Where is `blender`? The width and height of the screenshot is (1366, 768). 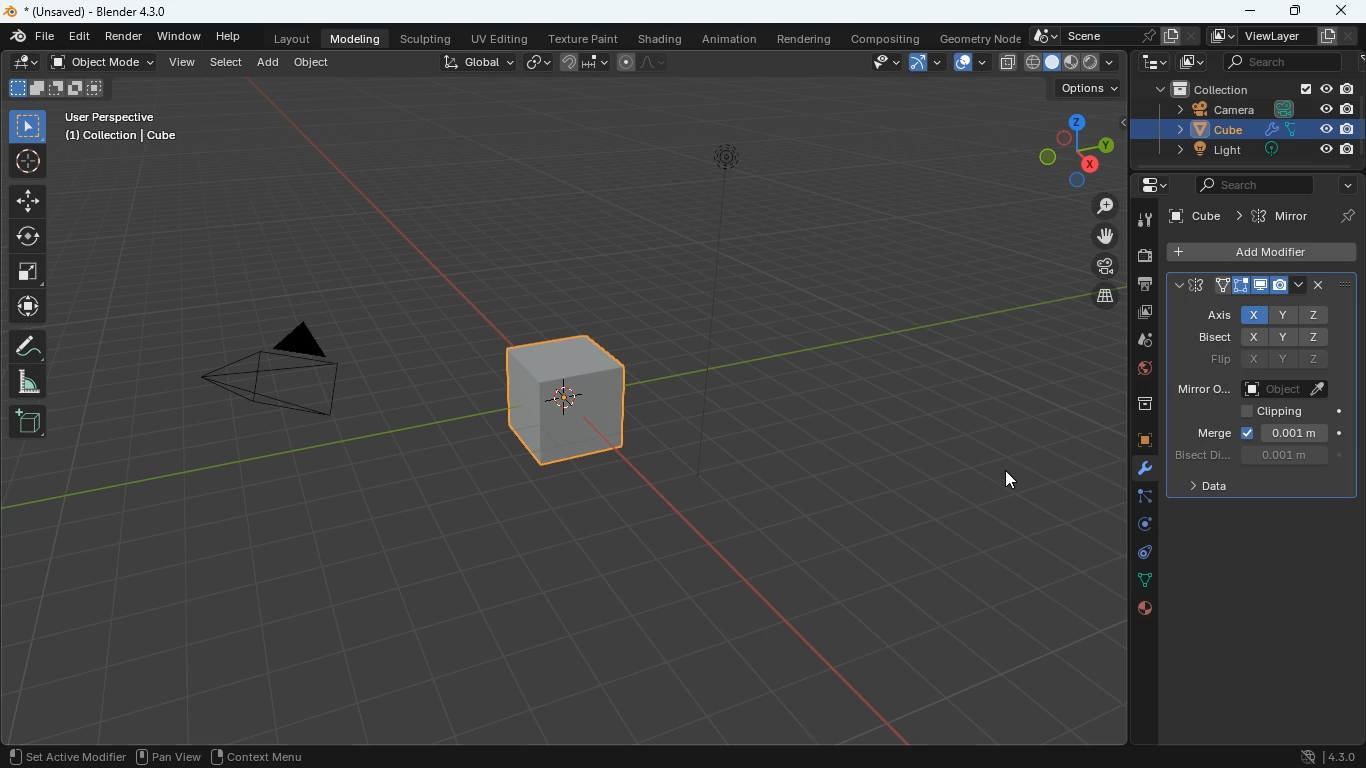 blender is located at coordinates (90, 12).